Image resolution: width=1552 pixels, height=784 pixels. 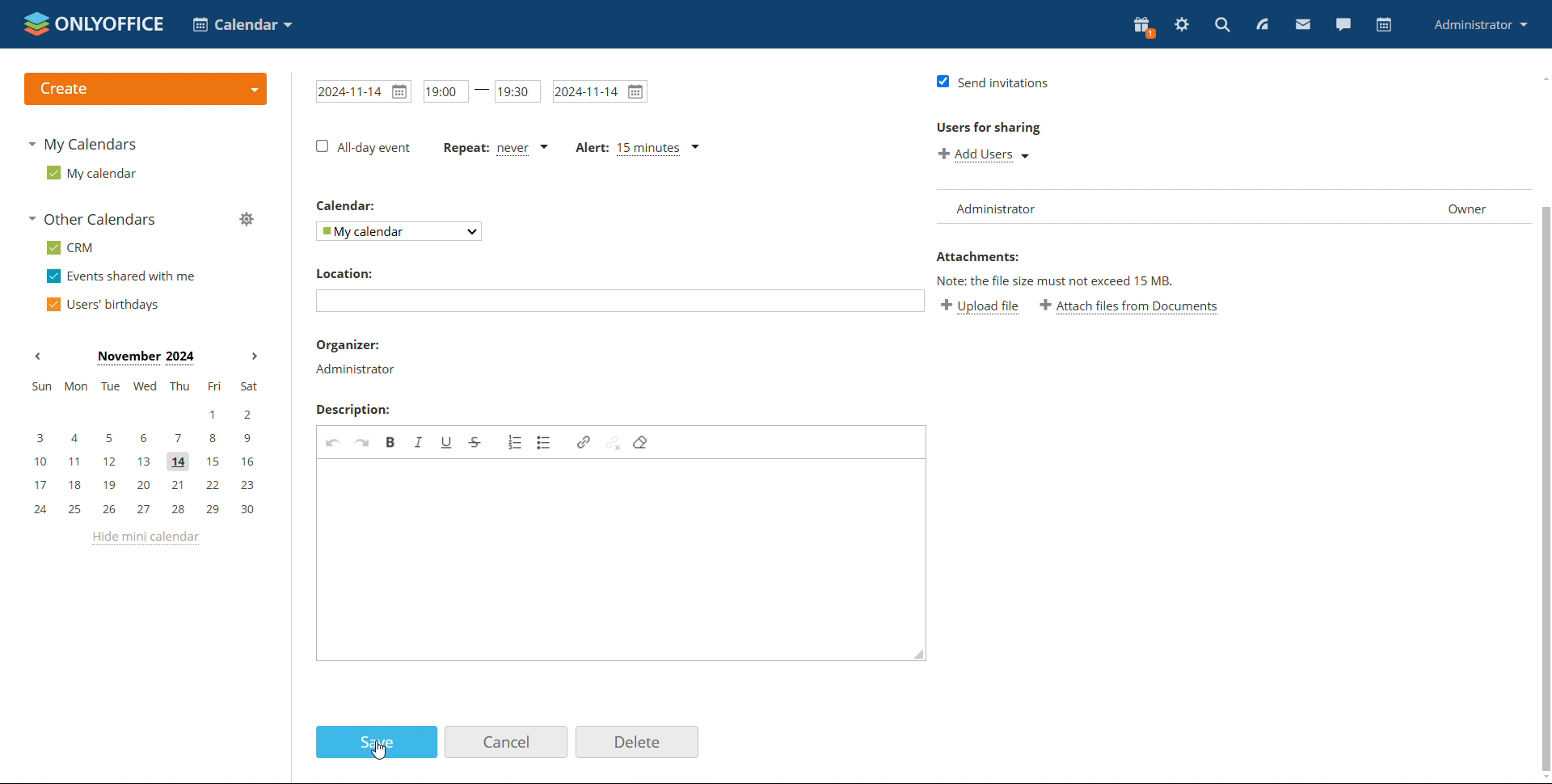 I want to click on attachments, so click(x=1135, y=306).